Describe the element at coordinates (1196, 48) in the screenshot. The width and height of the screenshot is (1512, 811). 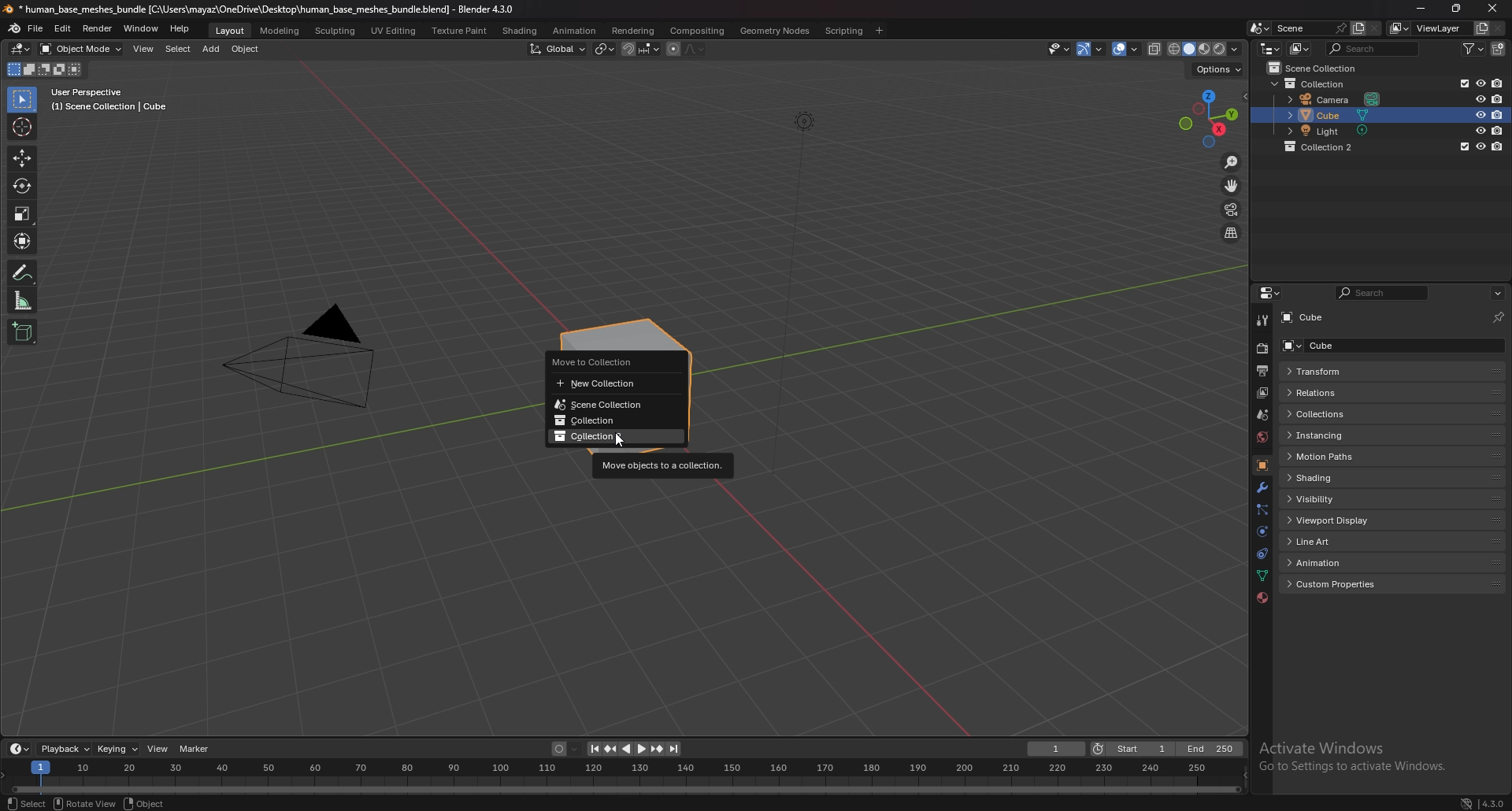
I see `viewport shading` at that location.